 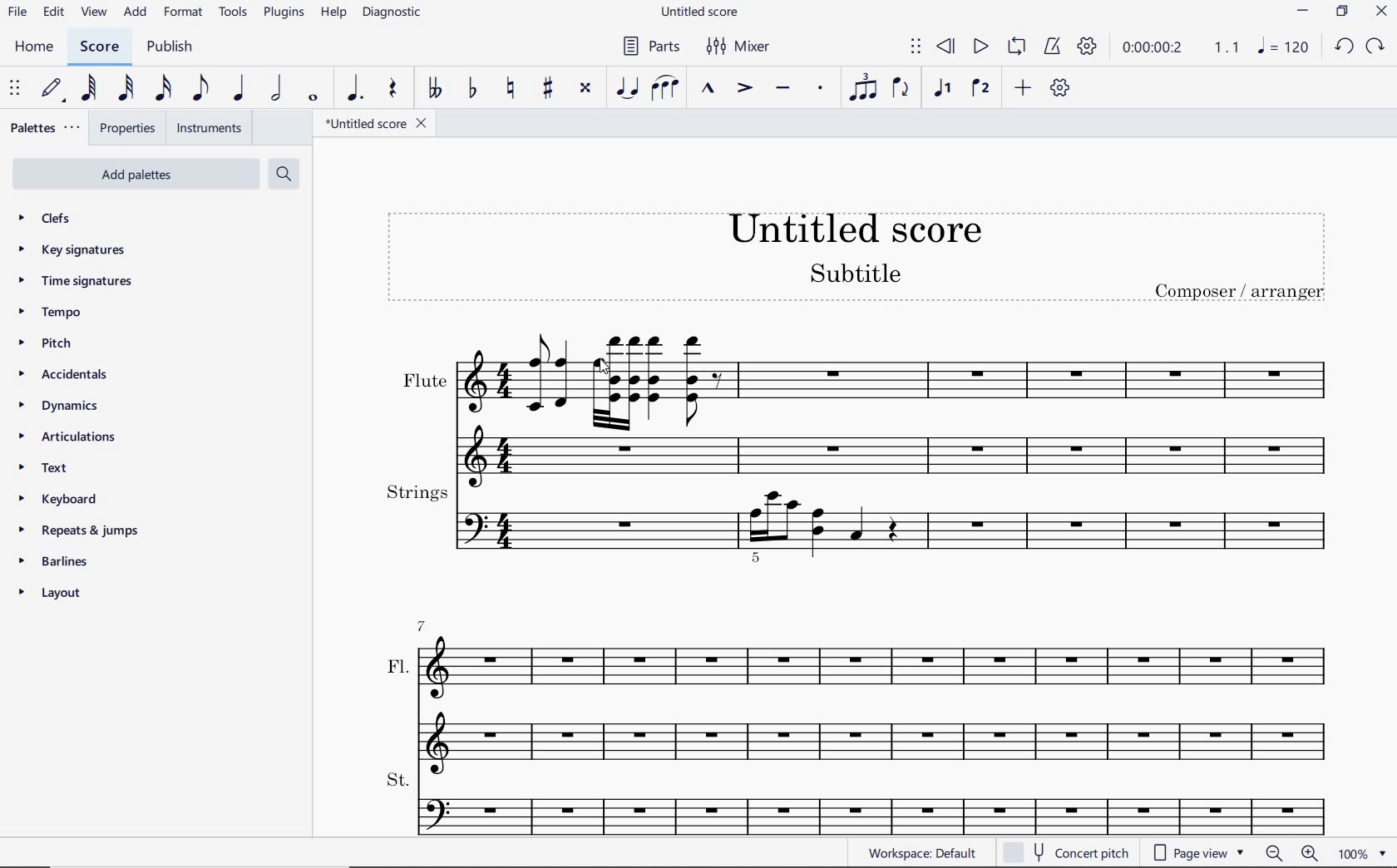 I want to click on VOICE 2, so click(x=979, y=86).